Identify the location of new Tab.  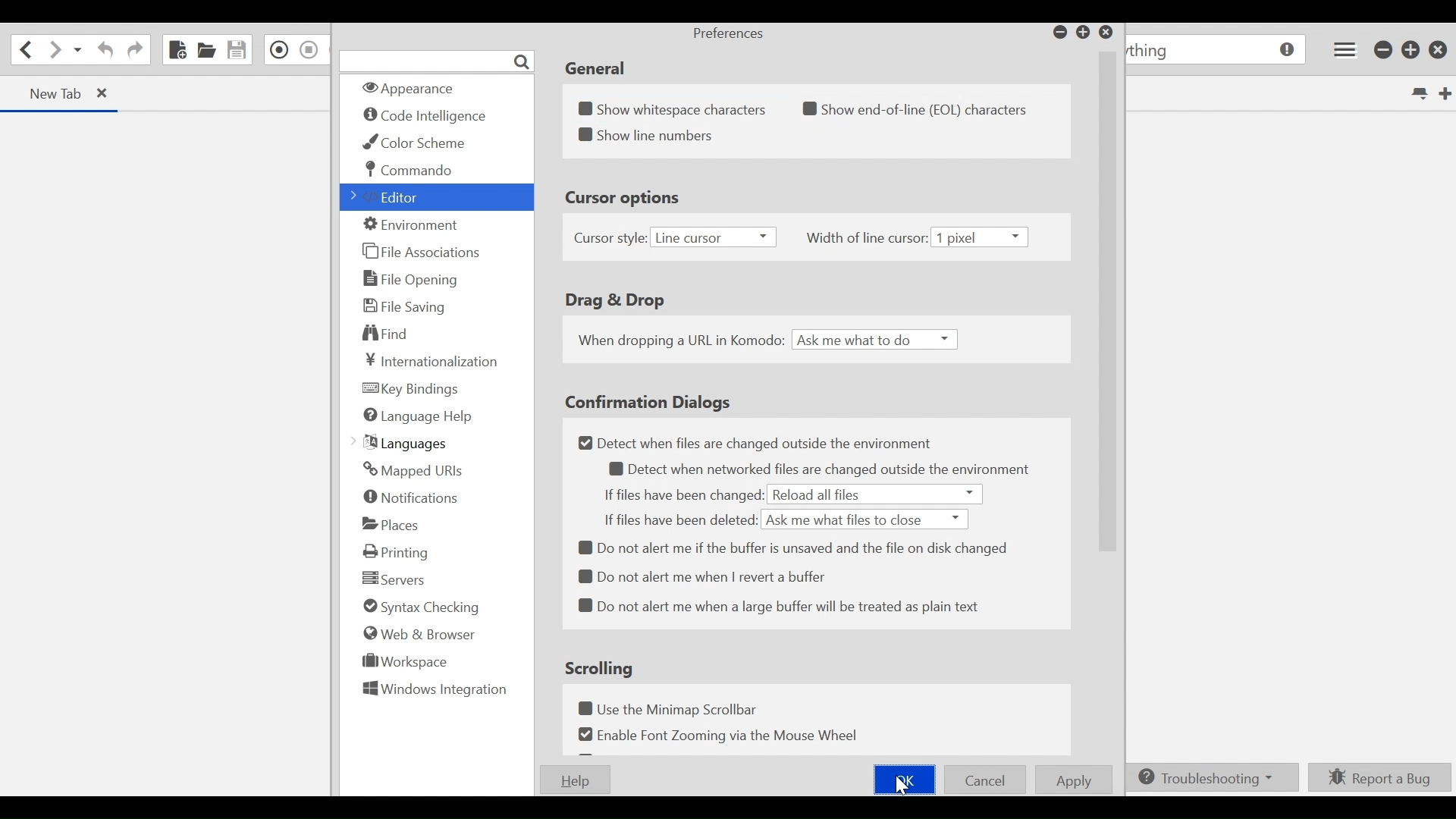
(53, 93).